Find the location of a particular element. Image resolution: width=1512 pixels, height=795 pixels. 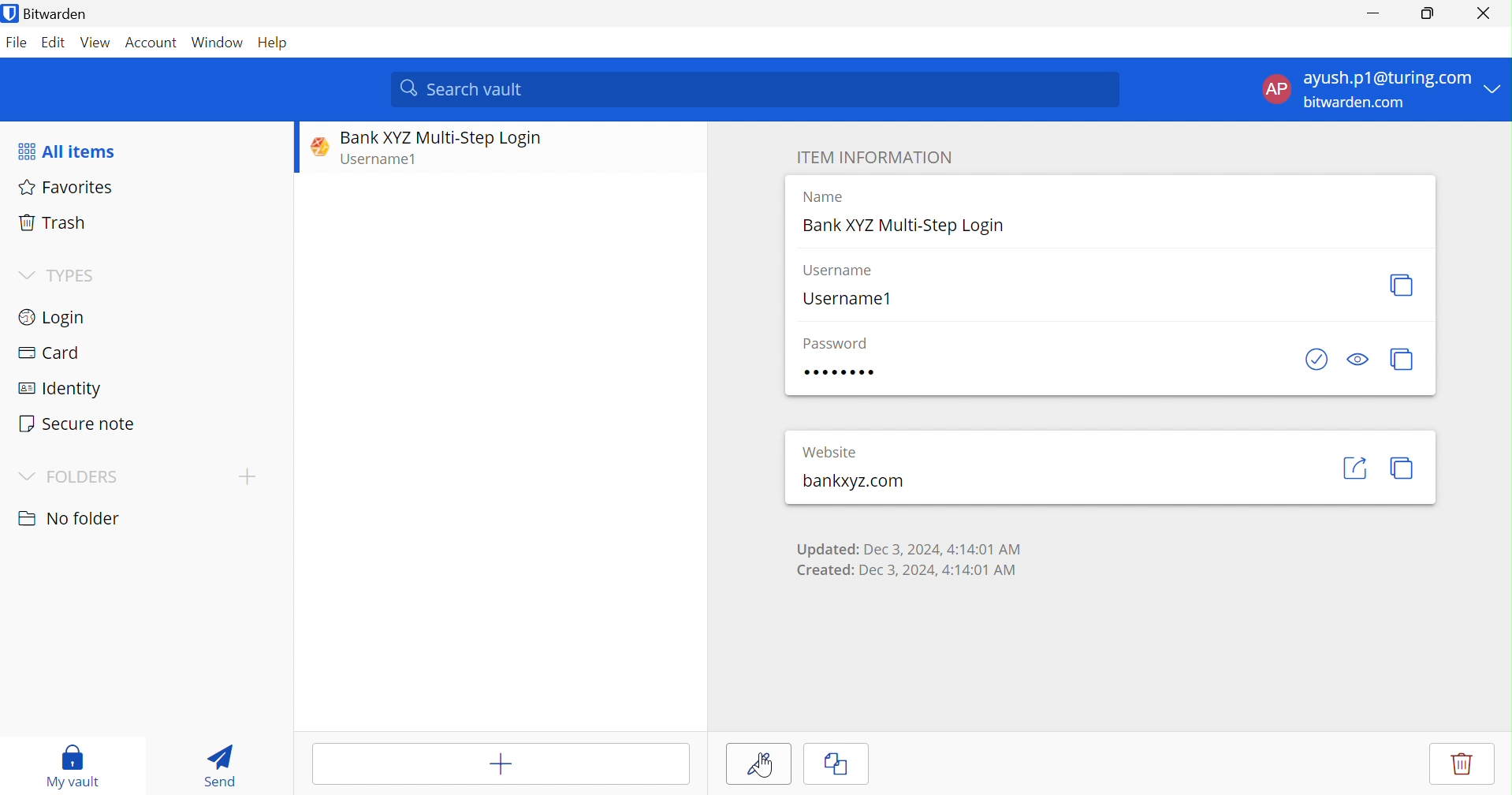

Login is located at coordinates (50, 317).